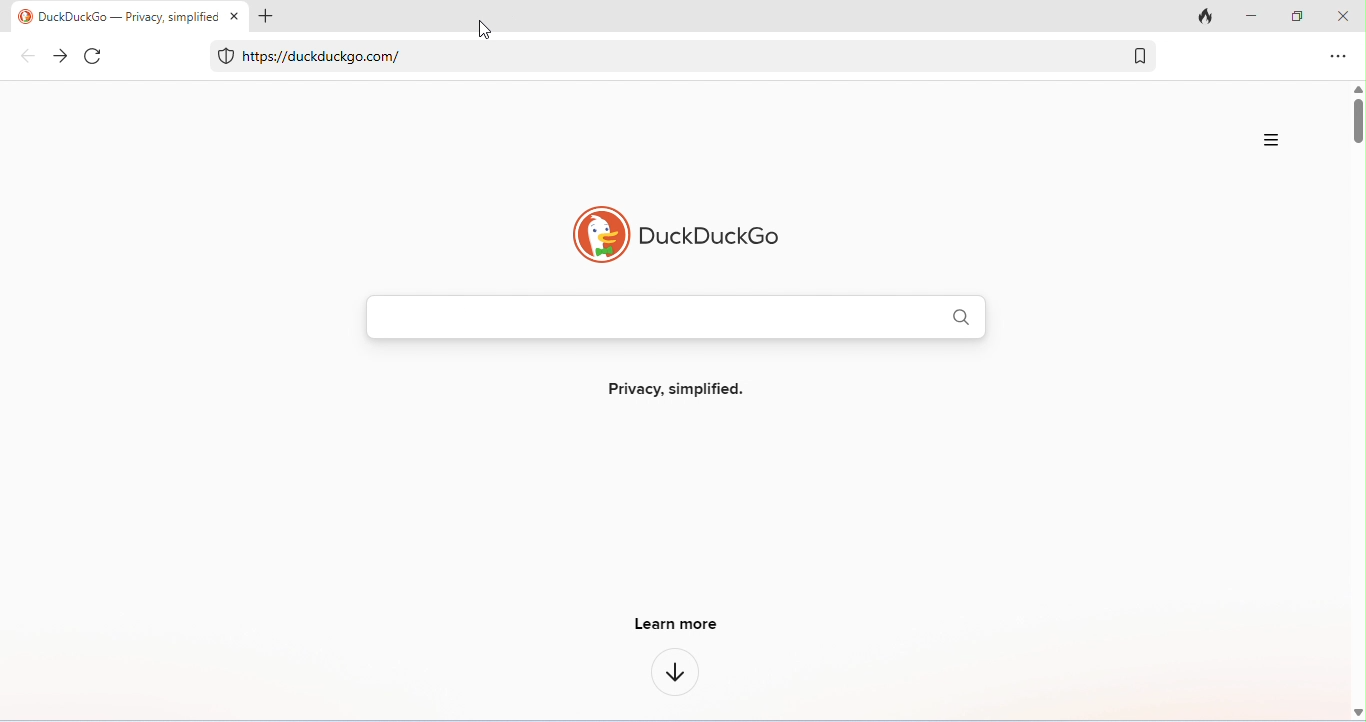 The image size is (1366, 722). Describe the element at coordinates (225, 56) in the screenshot. I see `duckduckgo protection` at that location.